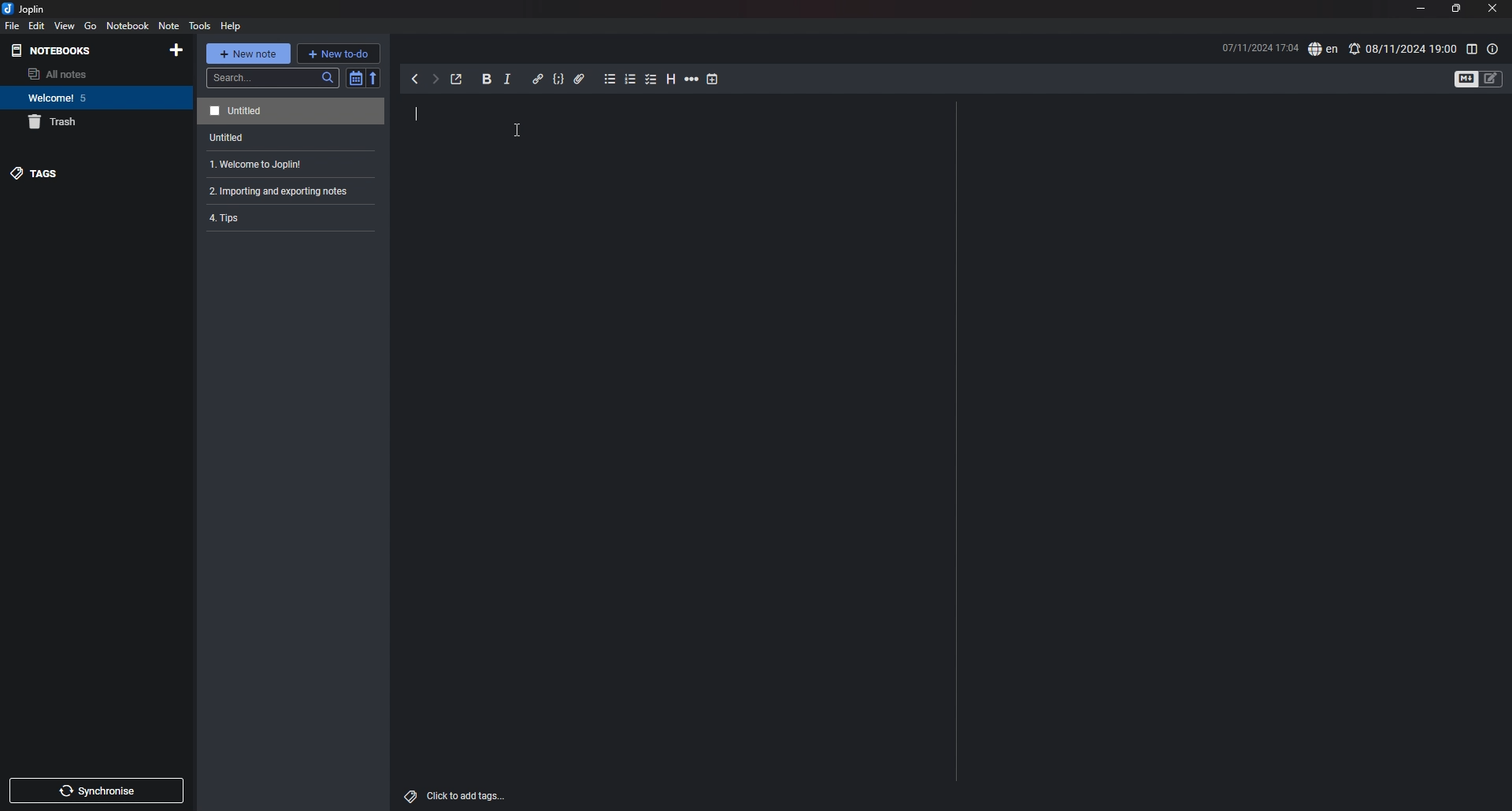 This screenshot has width=1512, height=811. Describe the element at coordinates (128, 25) in the screenshot. I see `notebook` at that location.